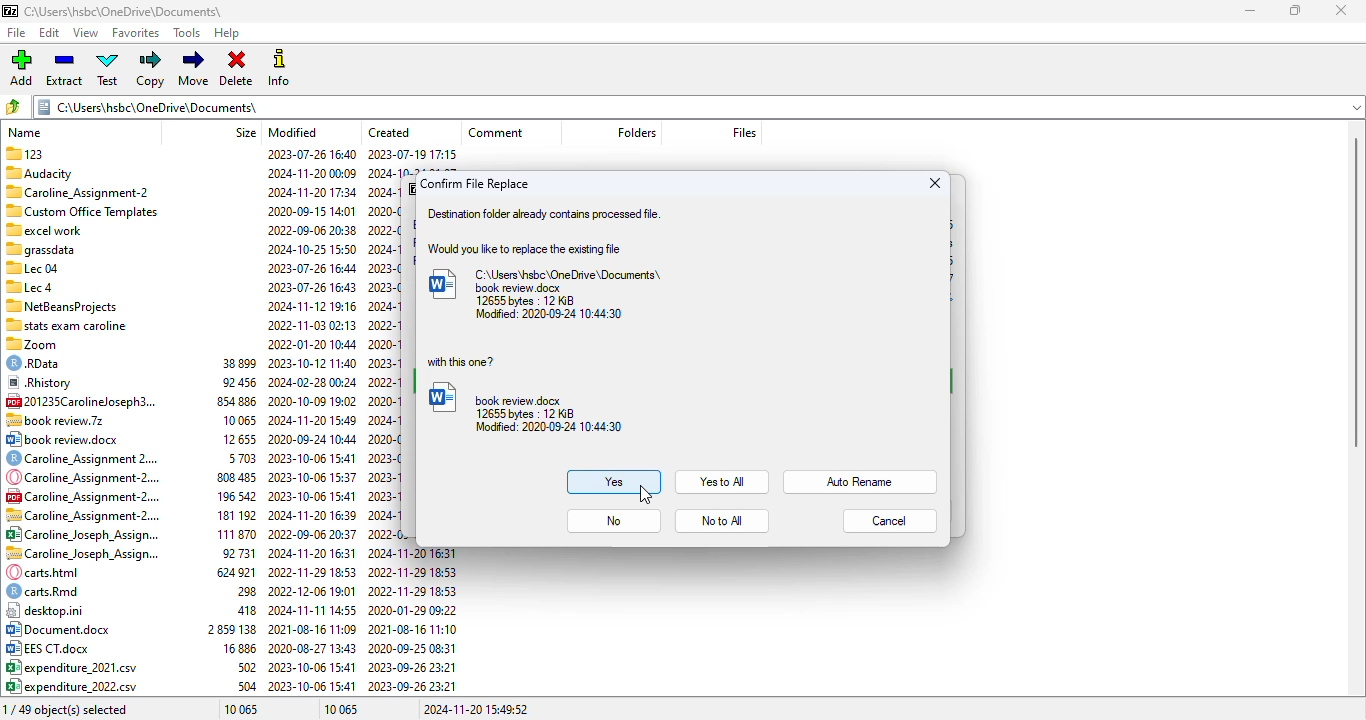 This screenshot has width=1366, height=720. What do you see at coordinates (890, 521) in the screenshot?
I see `cancel` at bounding box center [890, 521].